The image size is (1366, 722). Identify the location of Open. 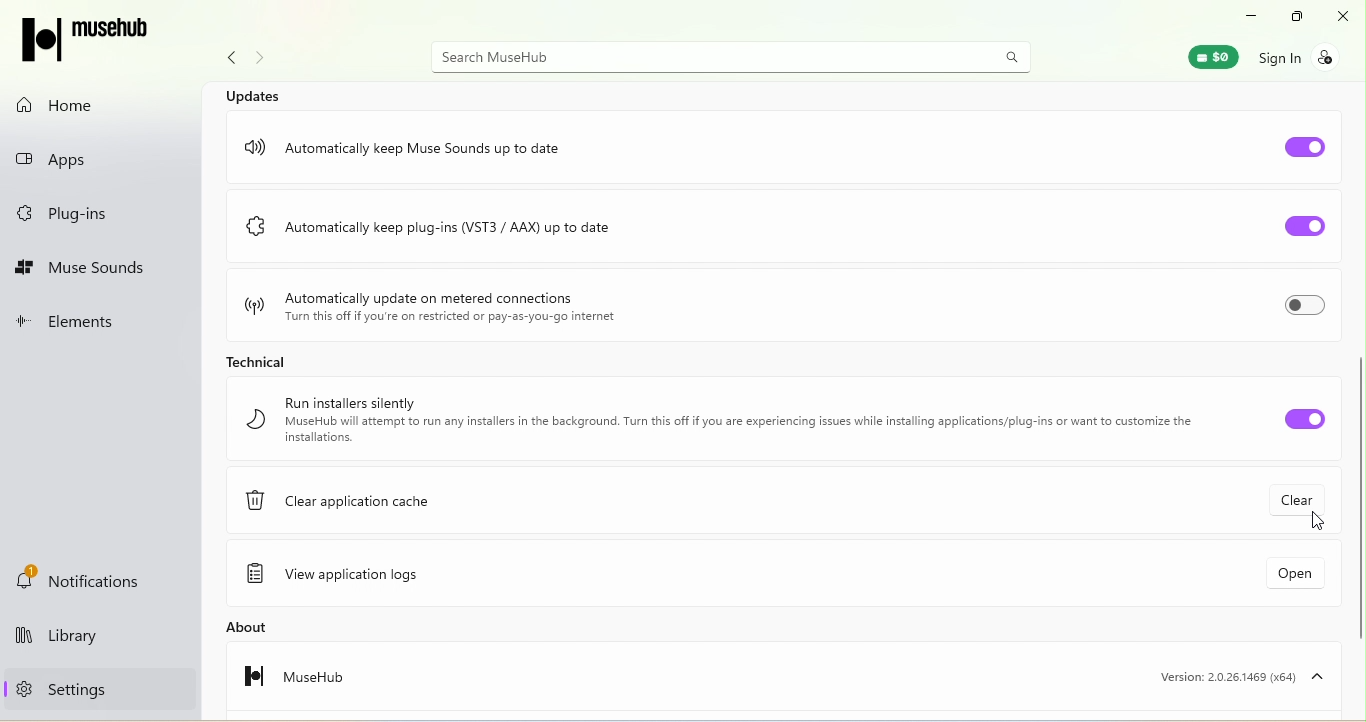
(1276, 578).